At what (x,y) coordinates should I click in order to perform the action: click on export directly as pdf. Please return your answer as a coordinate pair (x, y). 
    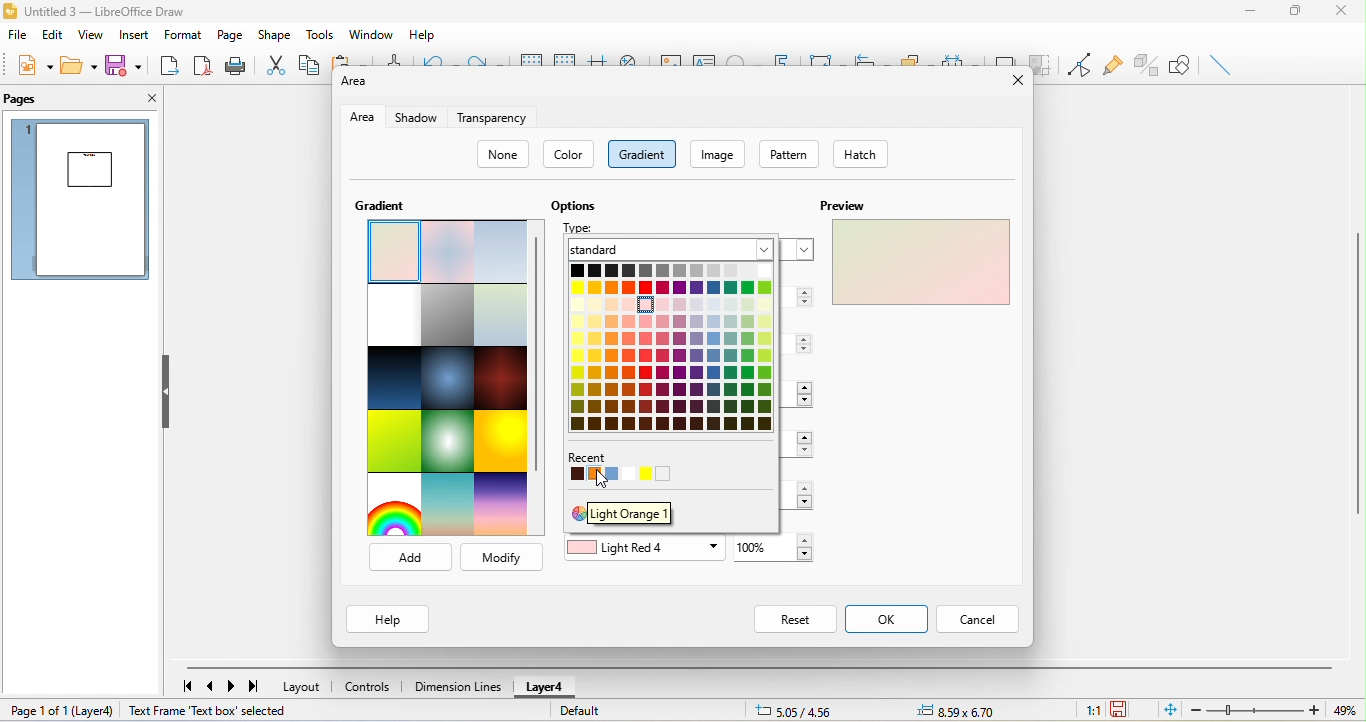
    Looking at the image, I should click on (204, 68).